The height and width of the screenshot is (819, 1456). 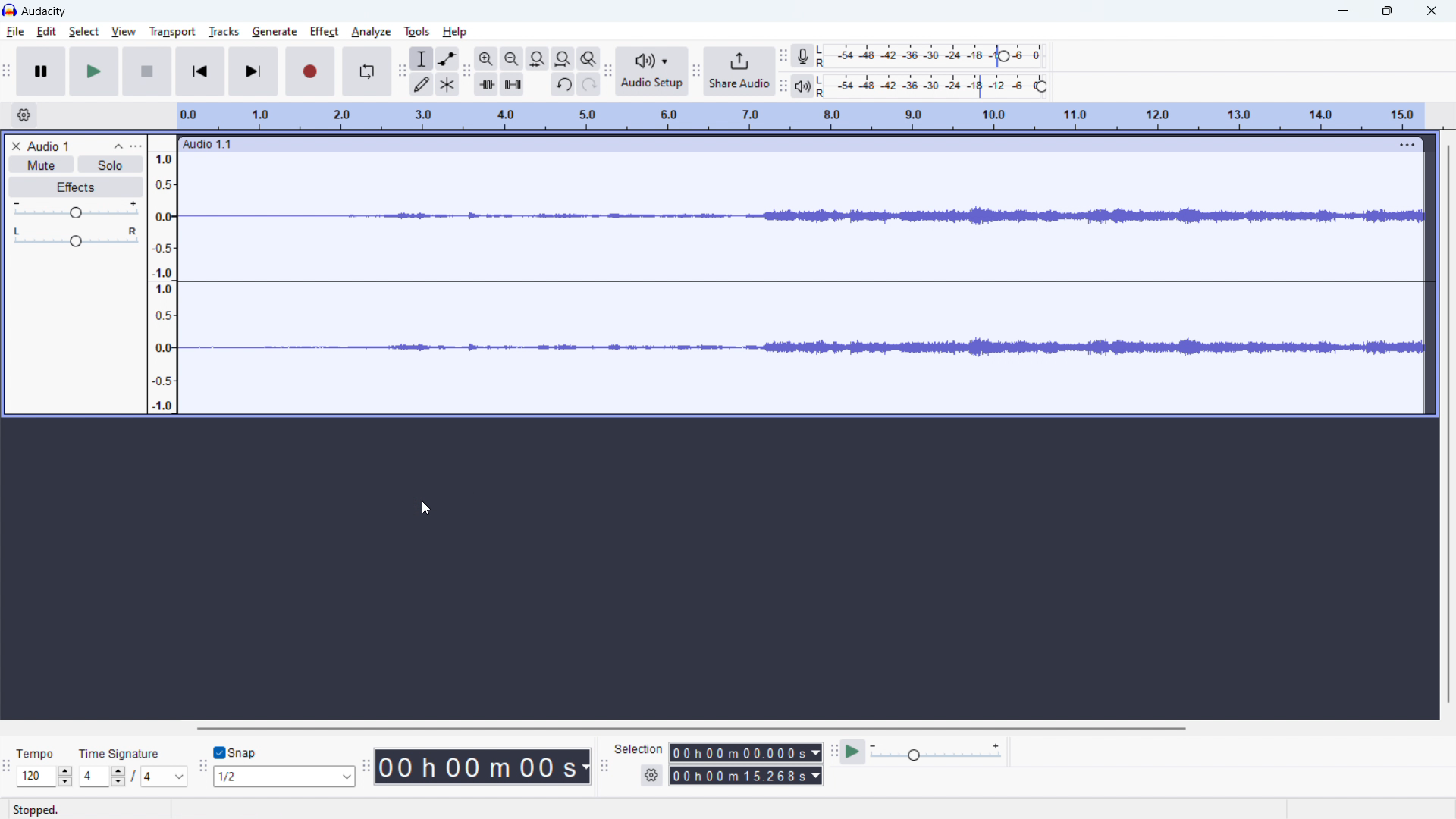 I want to click on cursor, so click(x=425, y=507).